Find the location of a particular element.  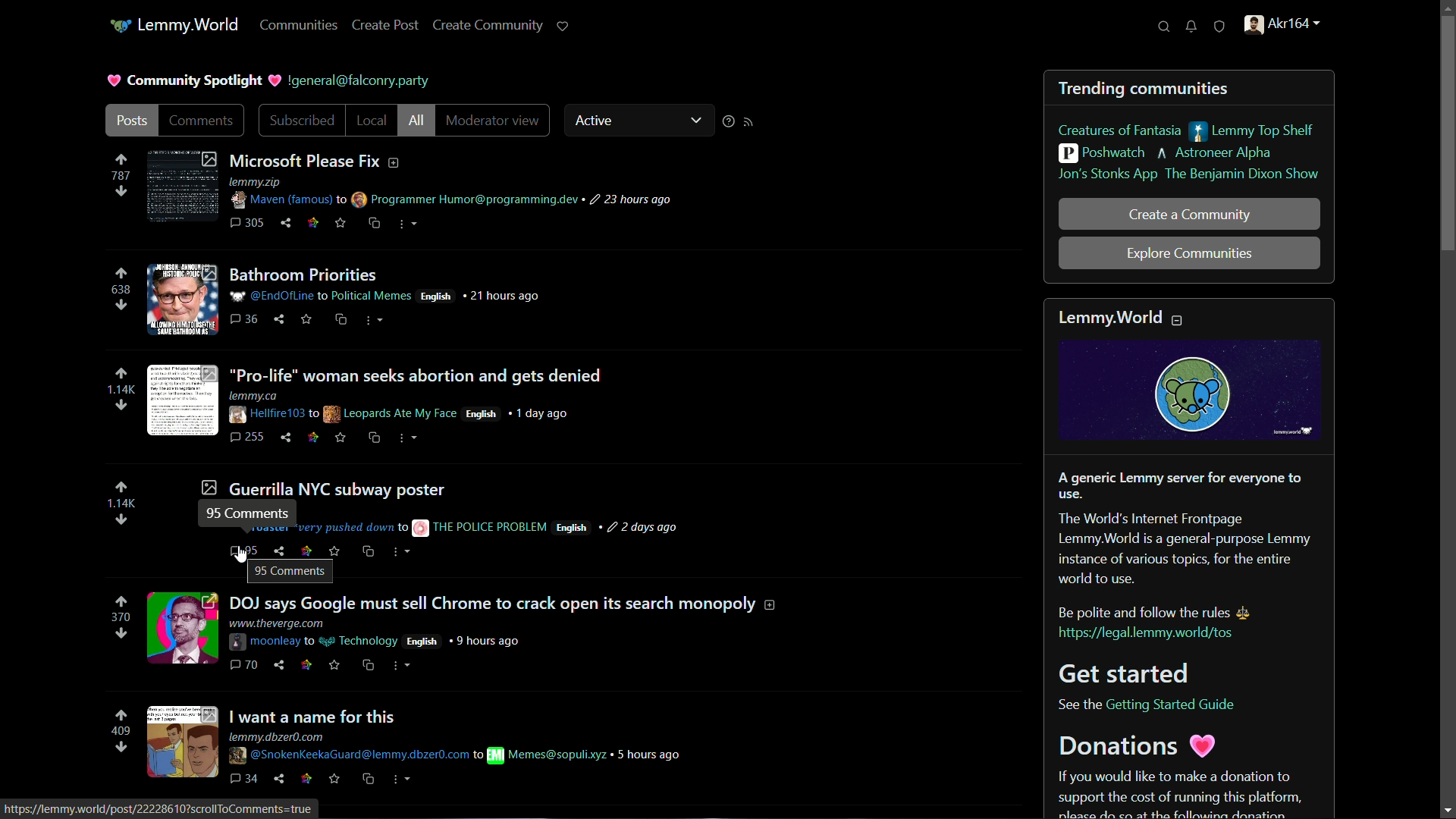

» Technology is located at coordinates (362, 641).